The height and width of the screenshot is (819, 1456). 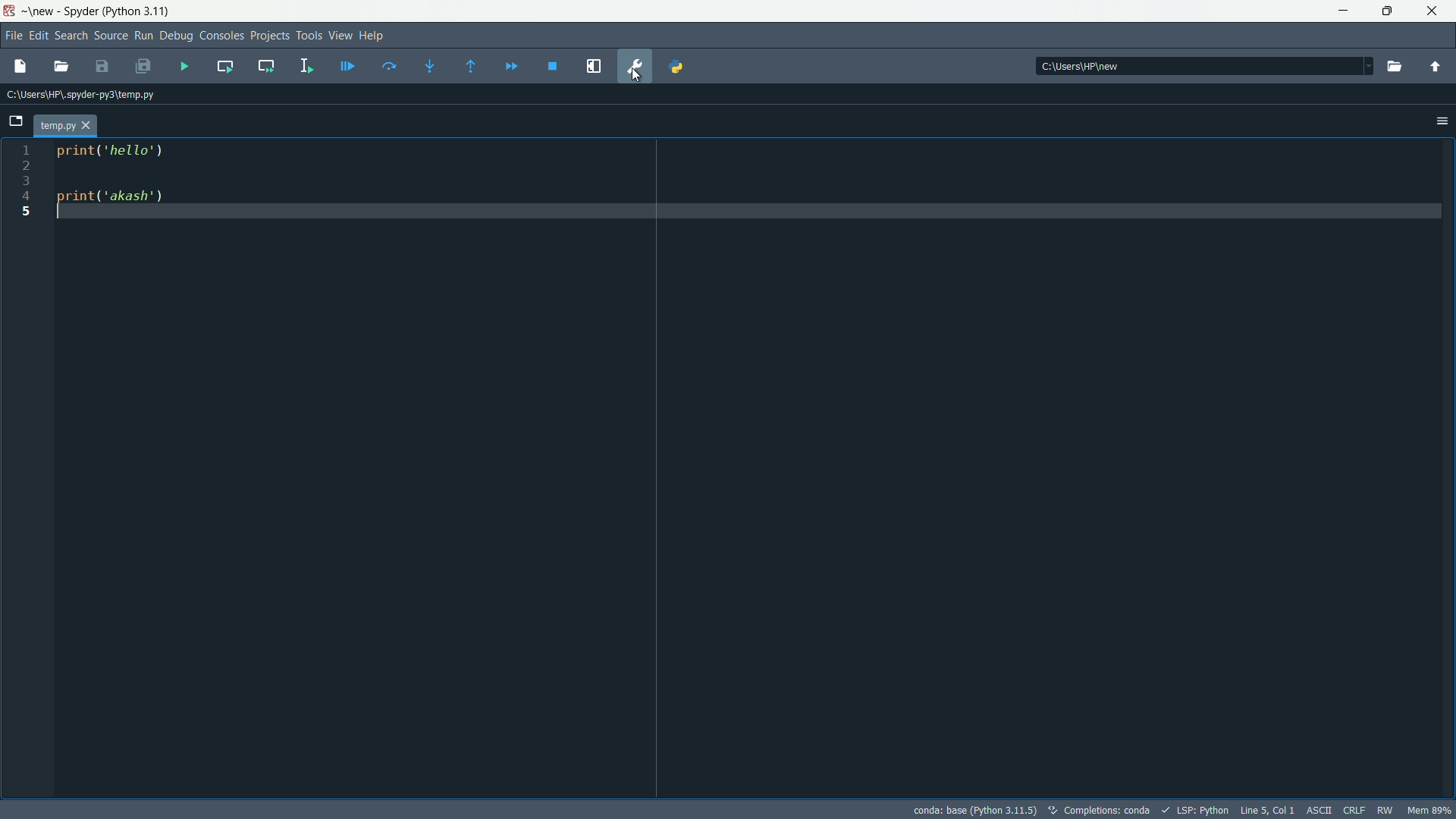 I want to click on file menu, so click(x=15, y=36).